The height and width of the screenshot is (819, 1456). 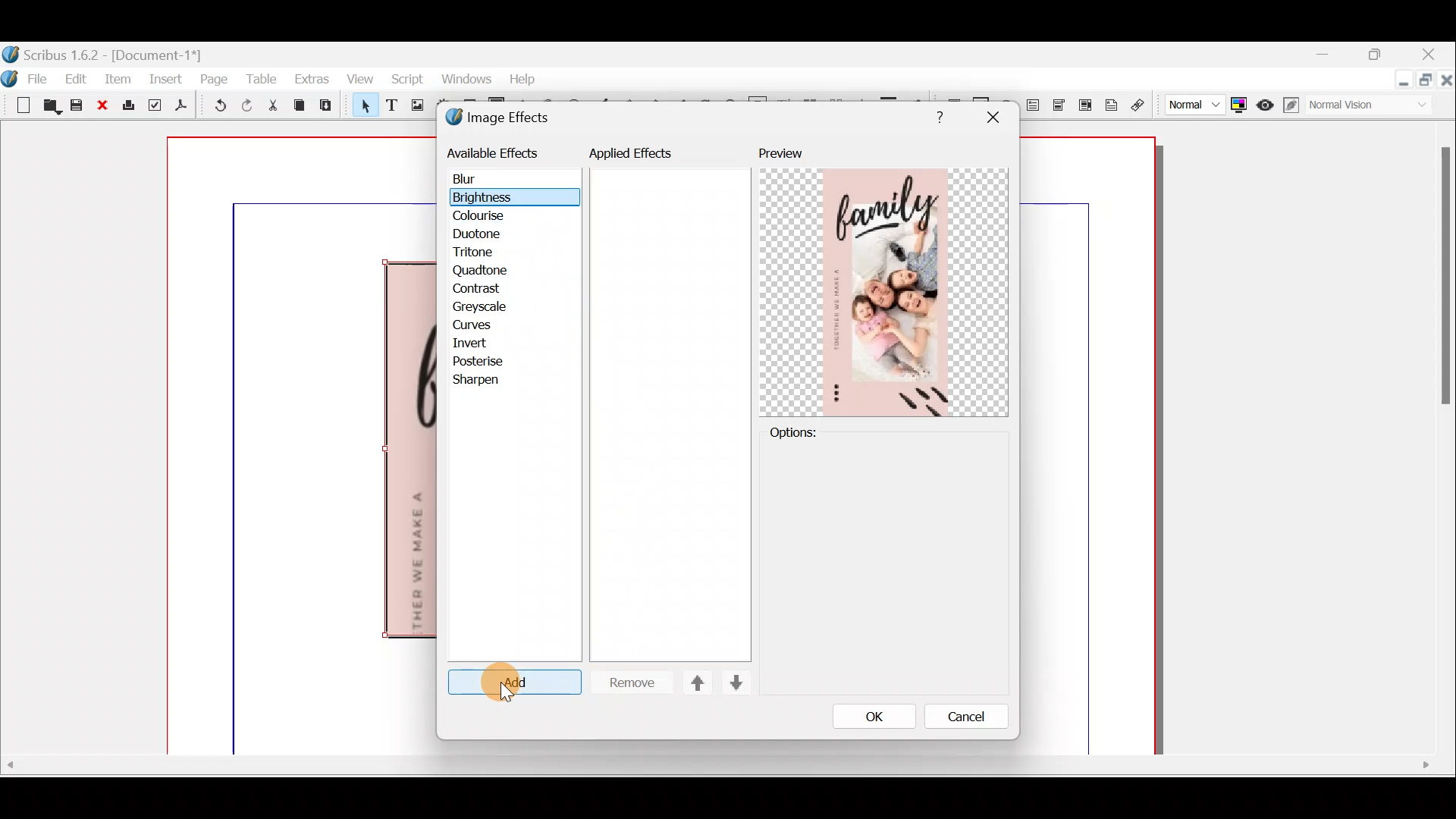 I want to click on PDF text field, so click(x=1034, y=105).